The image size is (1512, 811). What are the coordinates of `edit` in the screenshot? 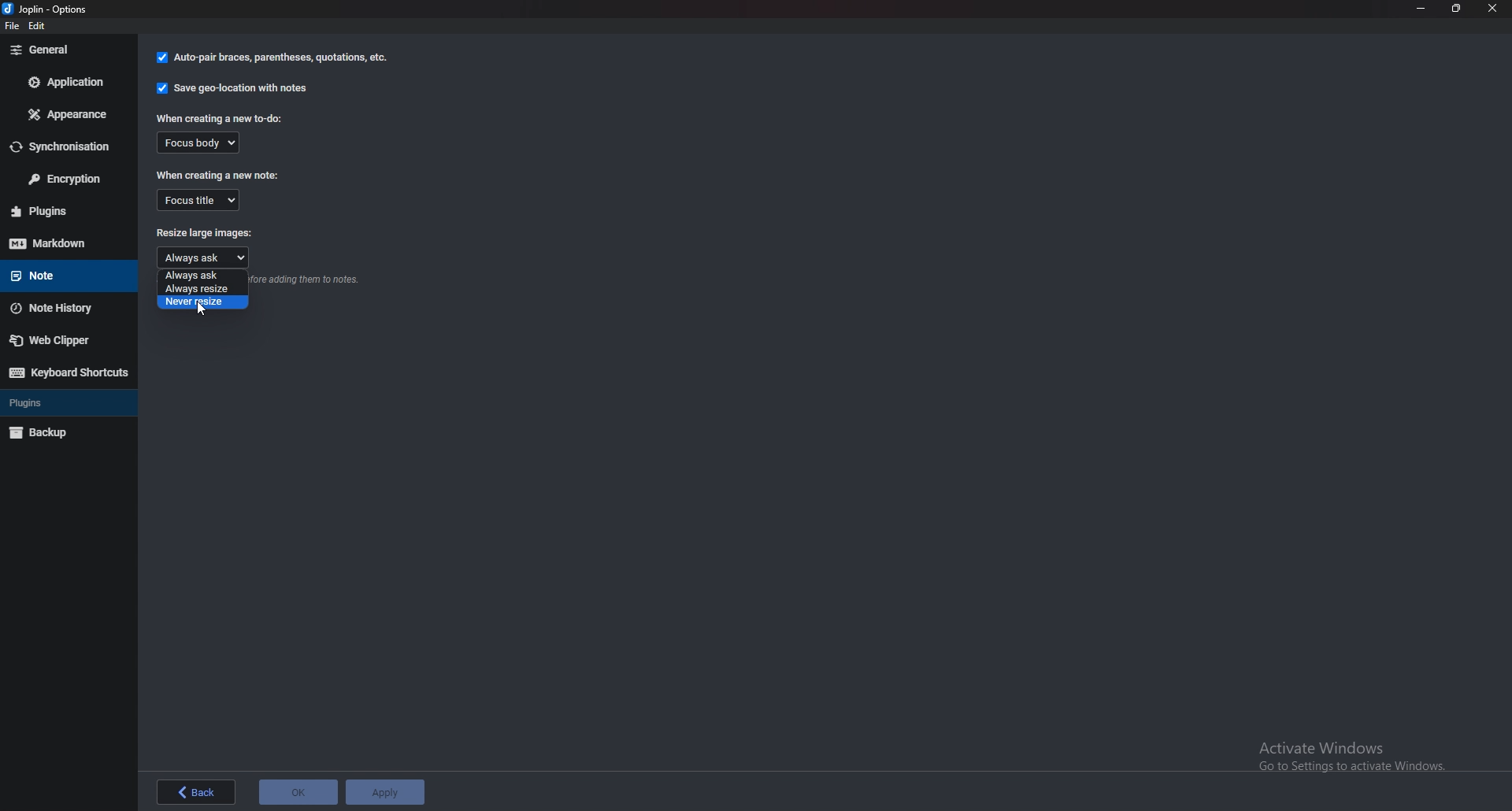 It's located at (43, 28).